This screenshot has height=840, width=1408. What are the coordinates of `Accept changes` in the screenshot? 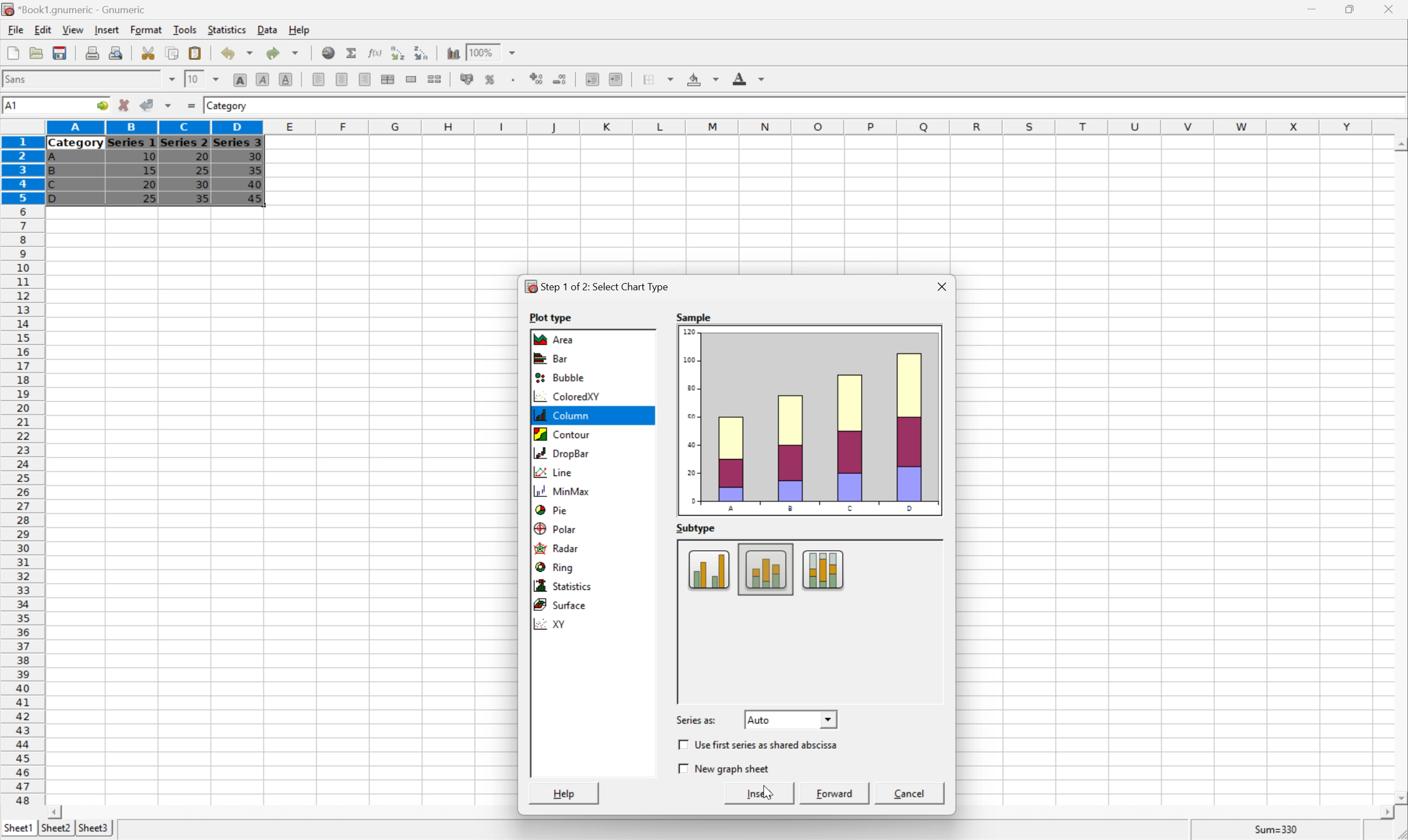 It's located at (145, 104).